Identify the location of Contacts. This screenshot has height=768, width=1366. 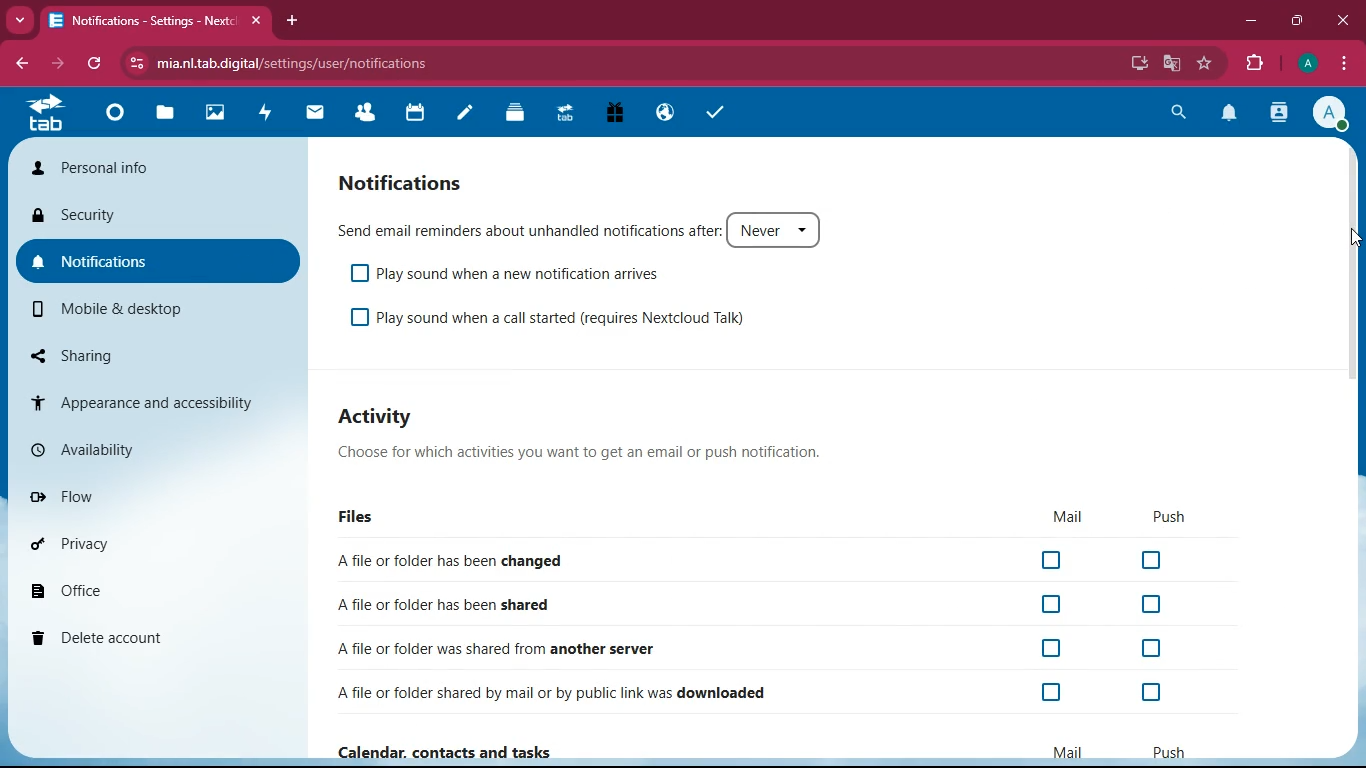
(367, 113).